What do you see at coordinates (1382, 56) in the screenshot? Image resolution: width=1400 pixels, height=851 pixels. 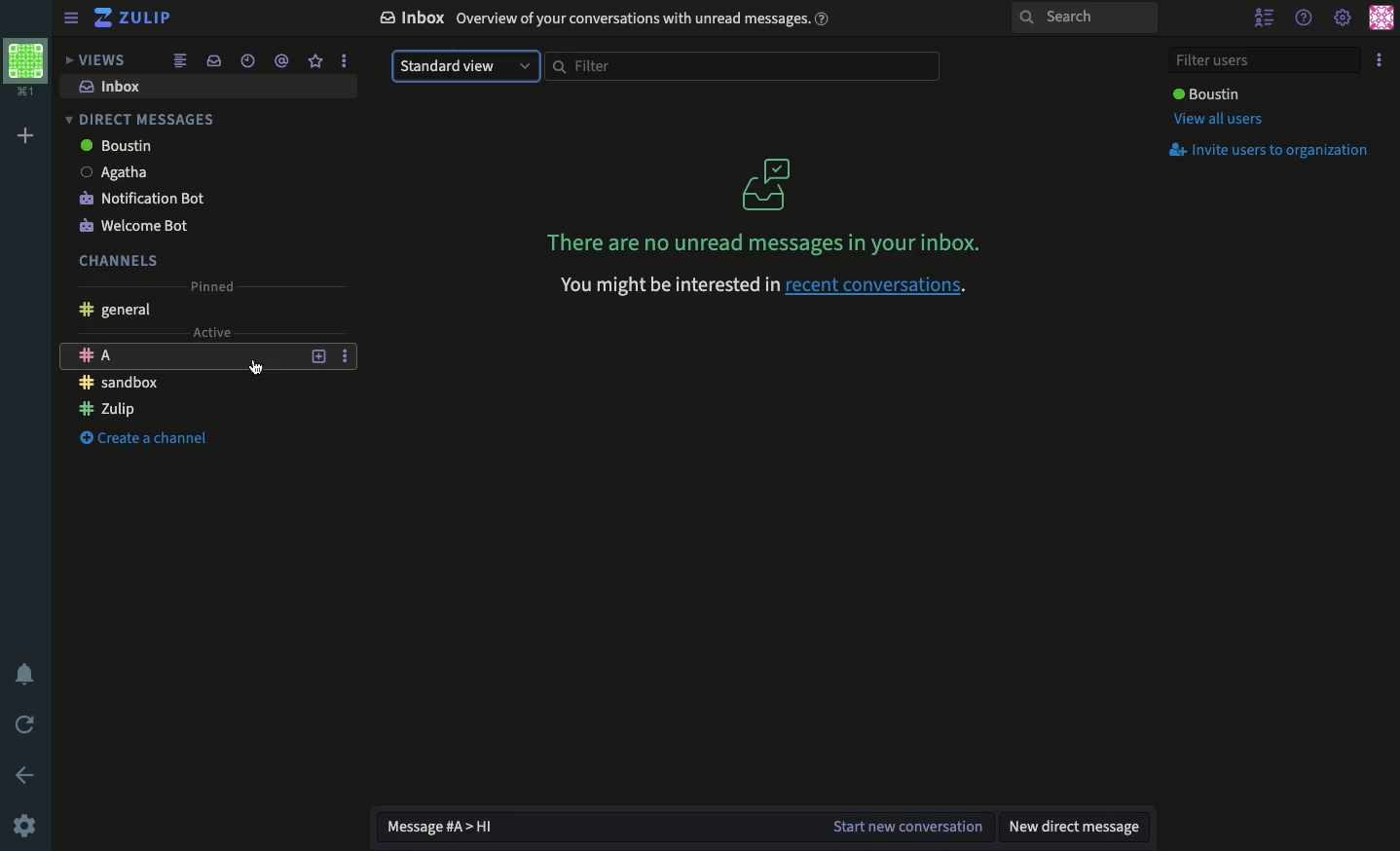 I see `Options ` at bounding box center [1382, 56].